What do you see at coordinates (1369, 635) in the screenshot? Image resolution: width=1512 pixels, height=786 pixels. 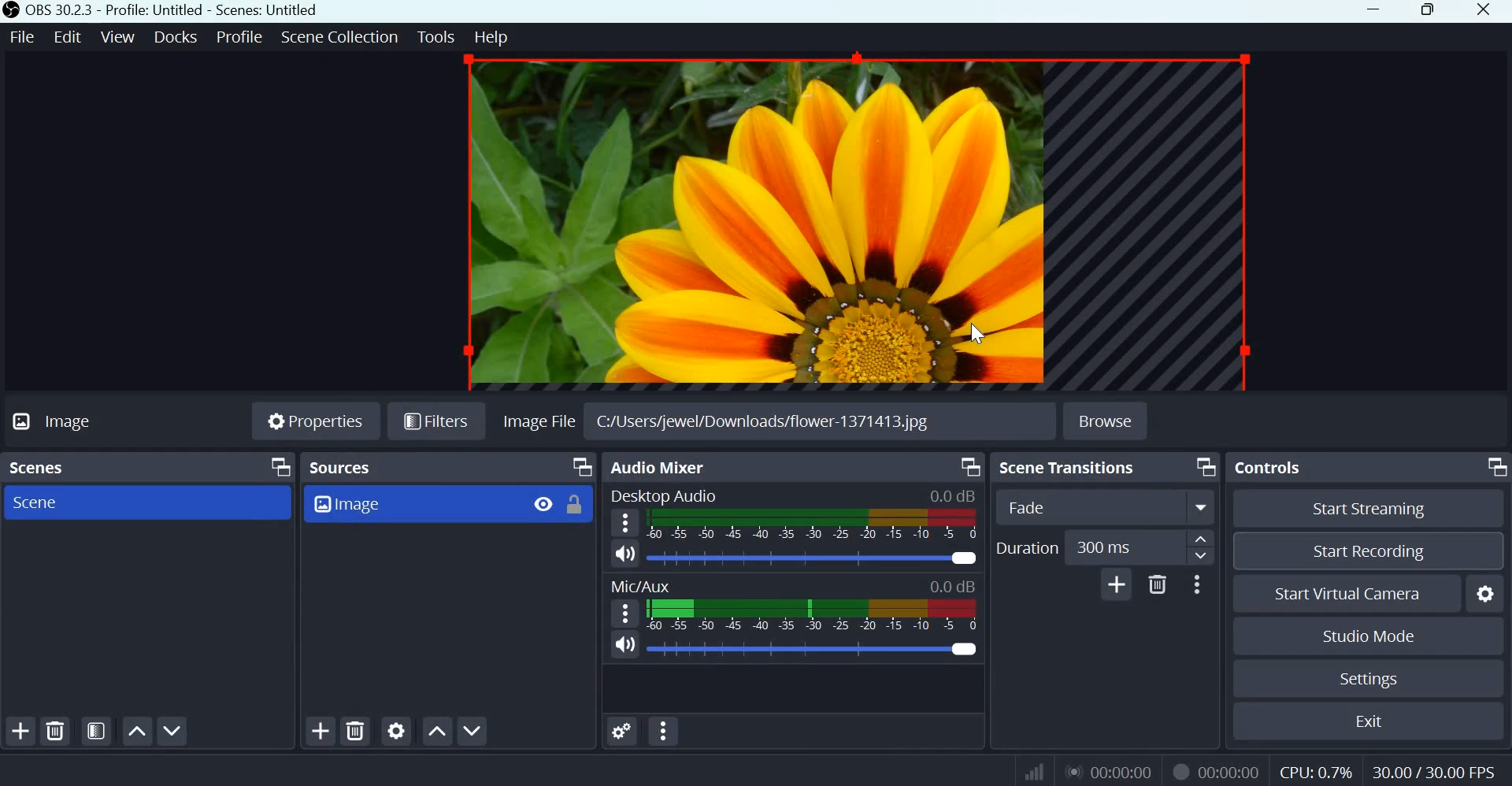 I see `Studio mode` at bounding box center [1369, 635].